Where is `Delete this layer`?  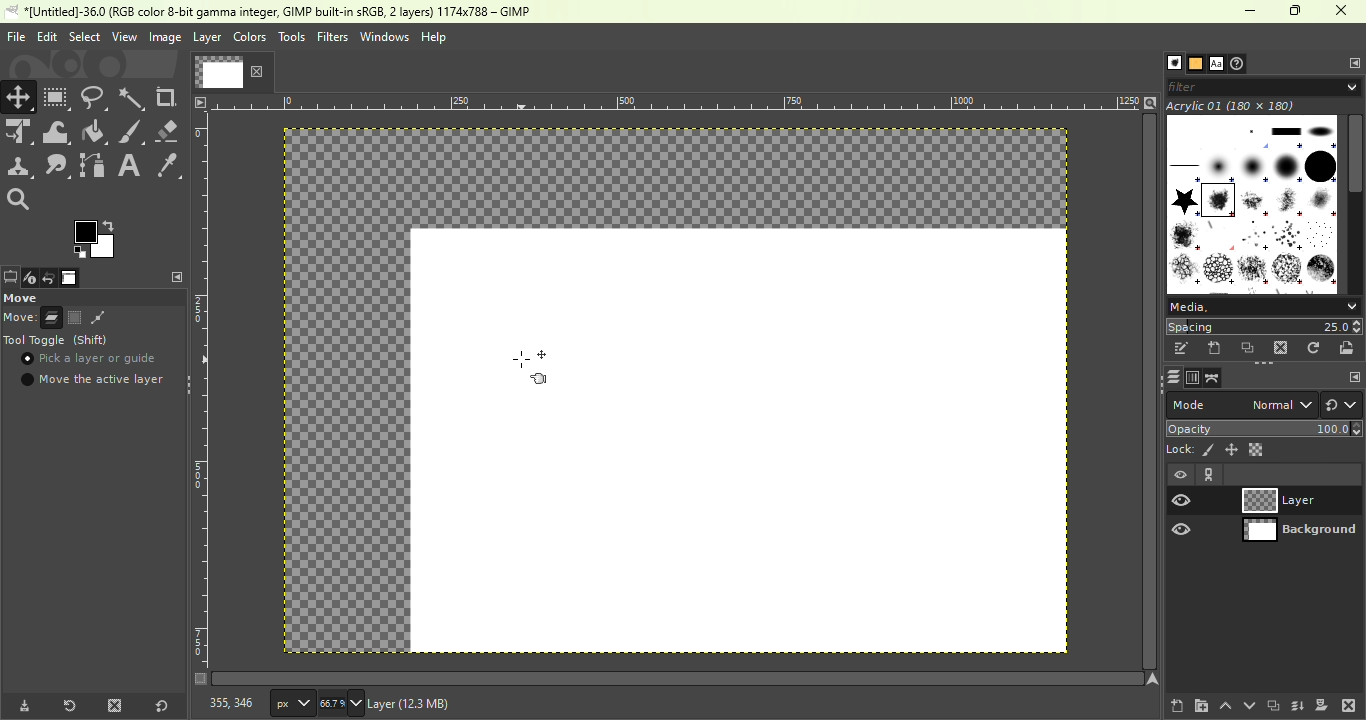
Delete this layer is located at coordinates (1349, 704).